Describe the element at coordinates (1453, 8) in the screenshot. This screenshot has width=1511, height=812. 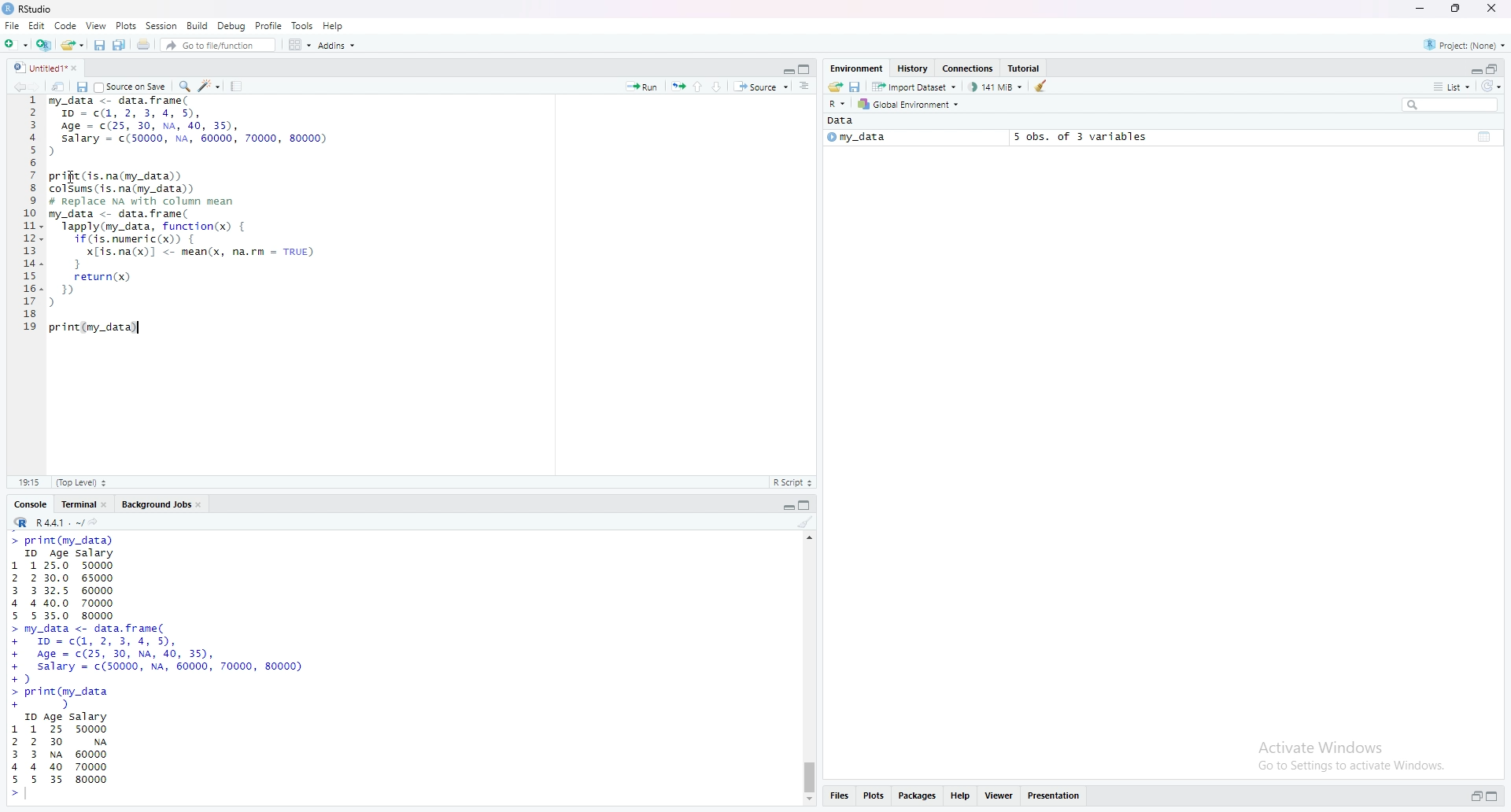
I see `maximize` at that location.